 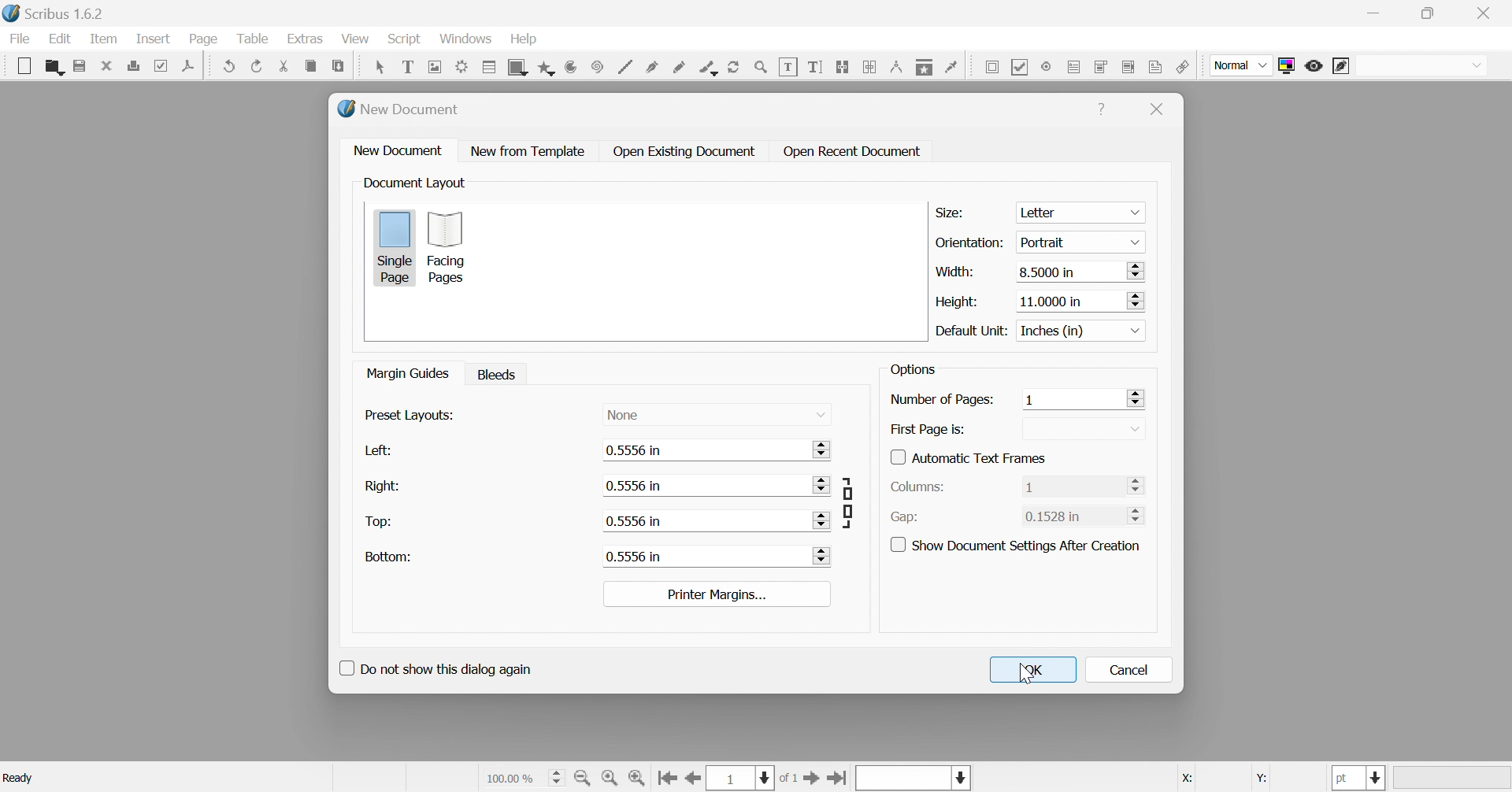 I want to click on view, so click(x=354, y=39).